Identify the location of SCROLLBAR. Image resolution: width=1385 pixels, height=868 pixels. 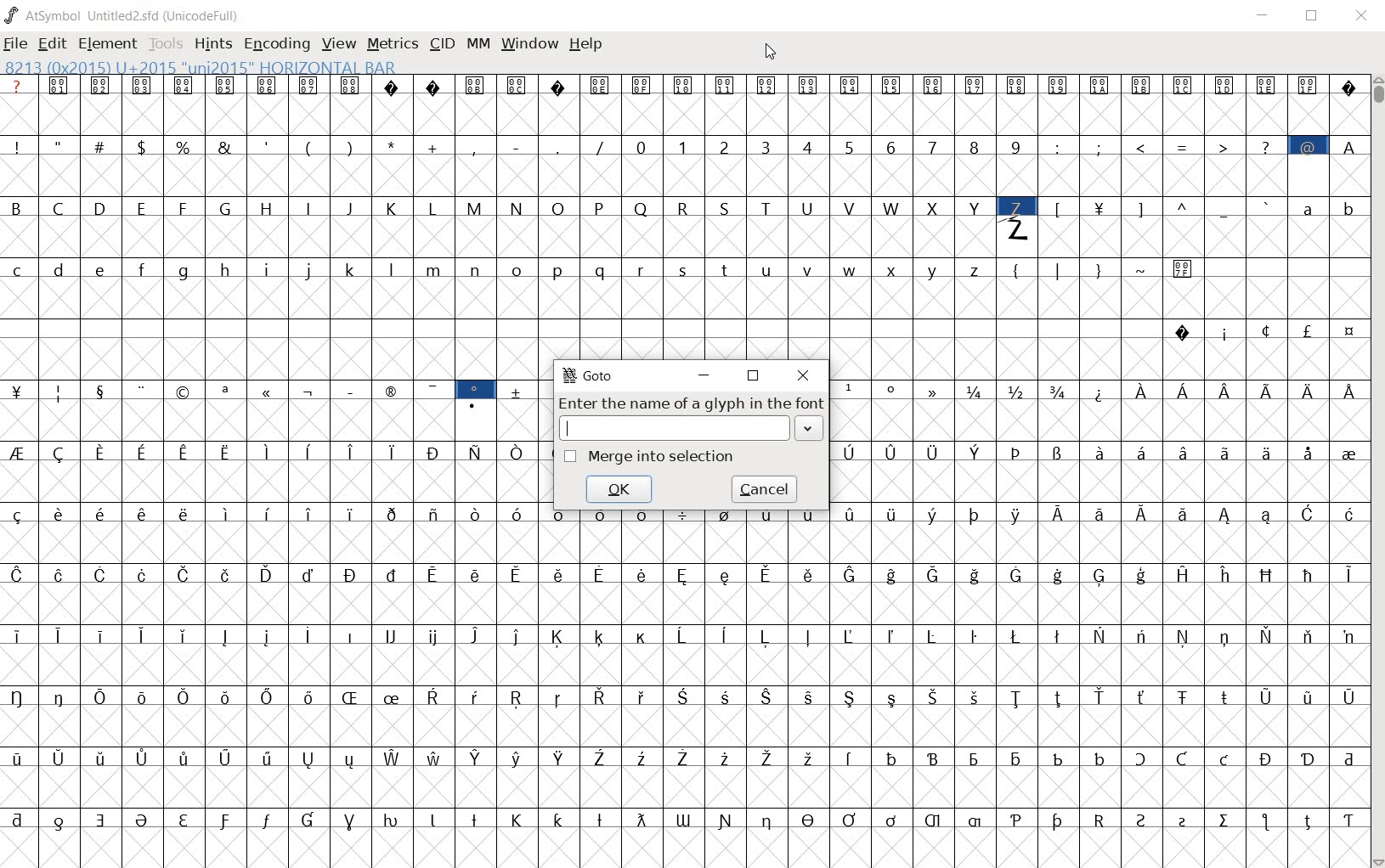
(1378, 471).